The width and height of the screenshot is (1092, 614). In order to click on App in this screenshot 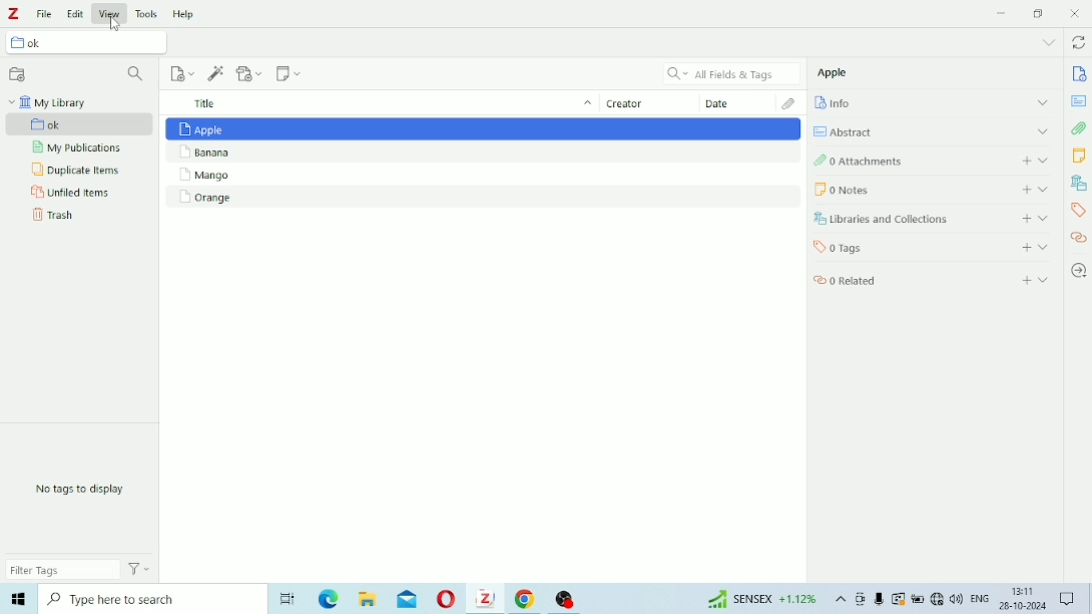, I will do `click(569, 596)`.